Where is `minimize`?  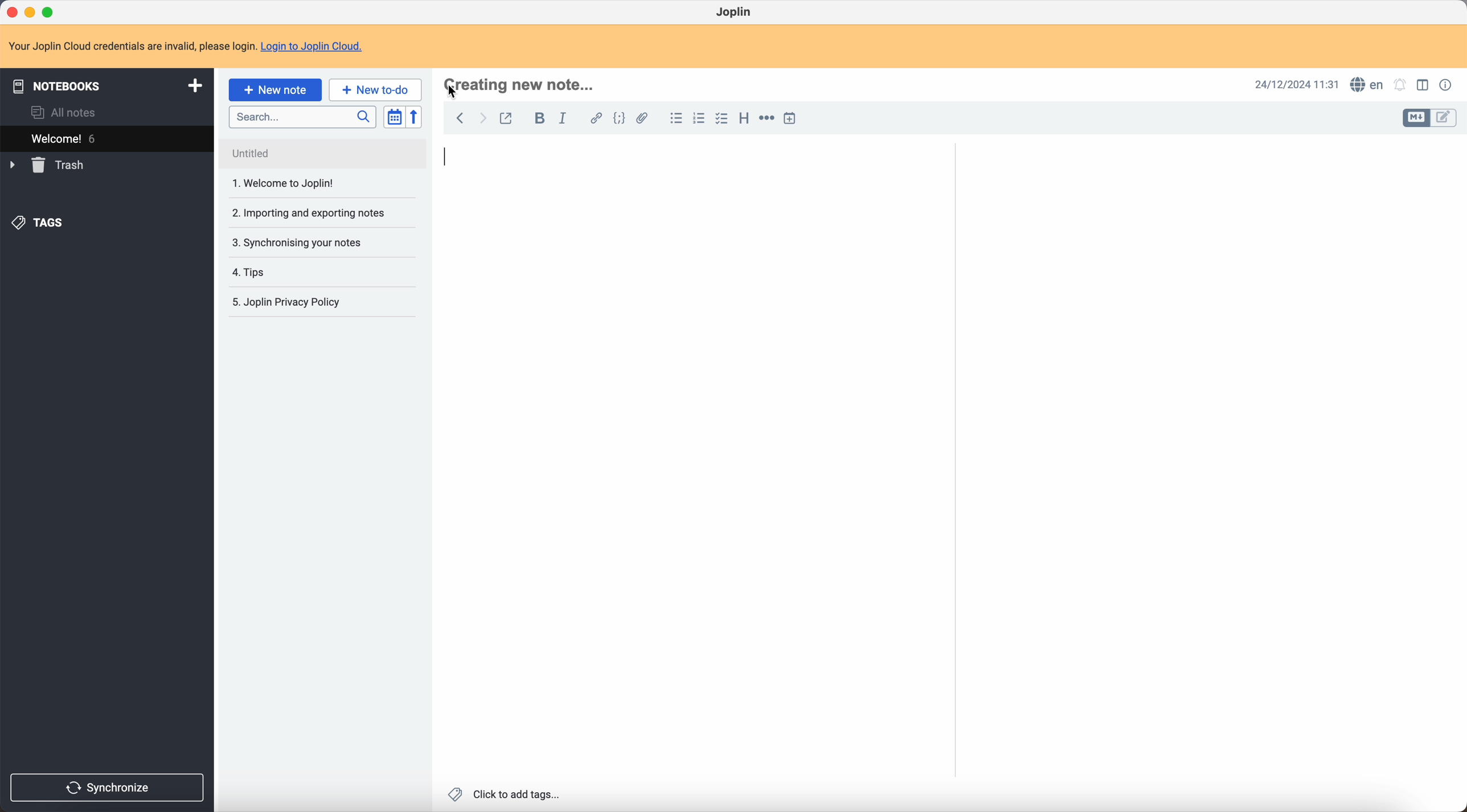 minimize is located at coordinates (30, 11).